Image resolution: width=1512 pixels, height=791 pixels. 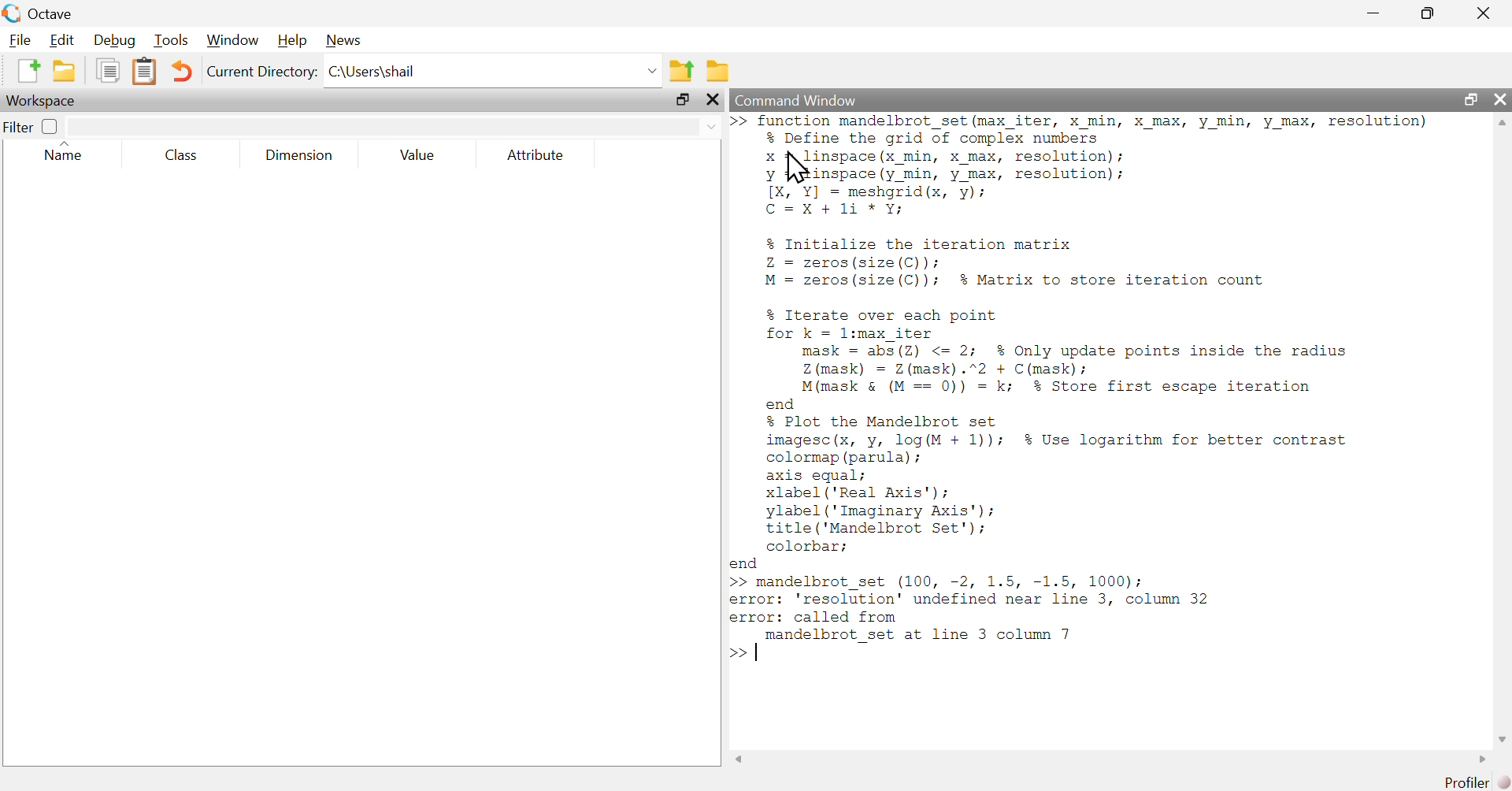 I want to click on paste, so click(x=146, y=70).